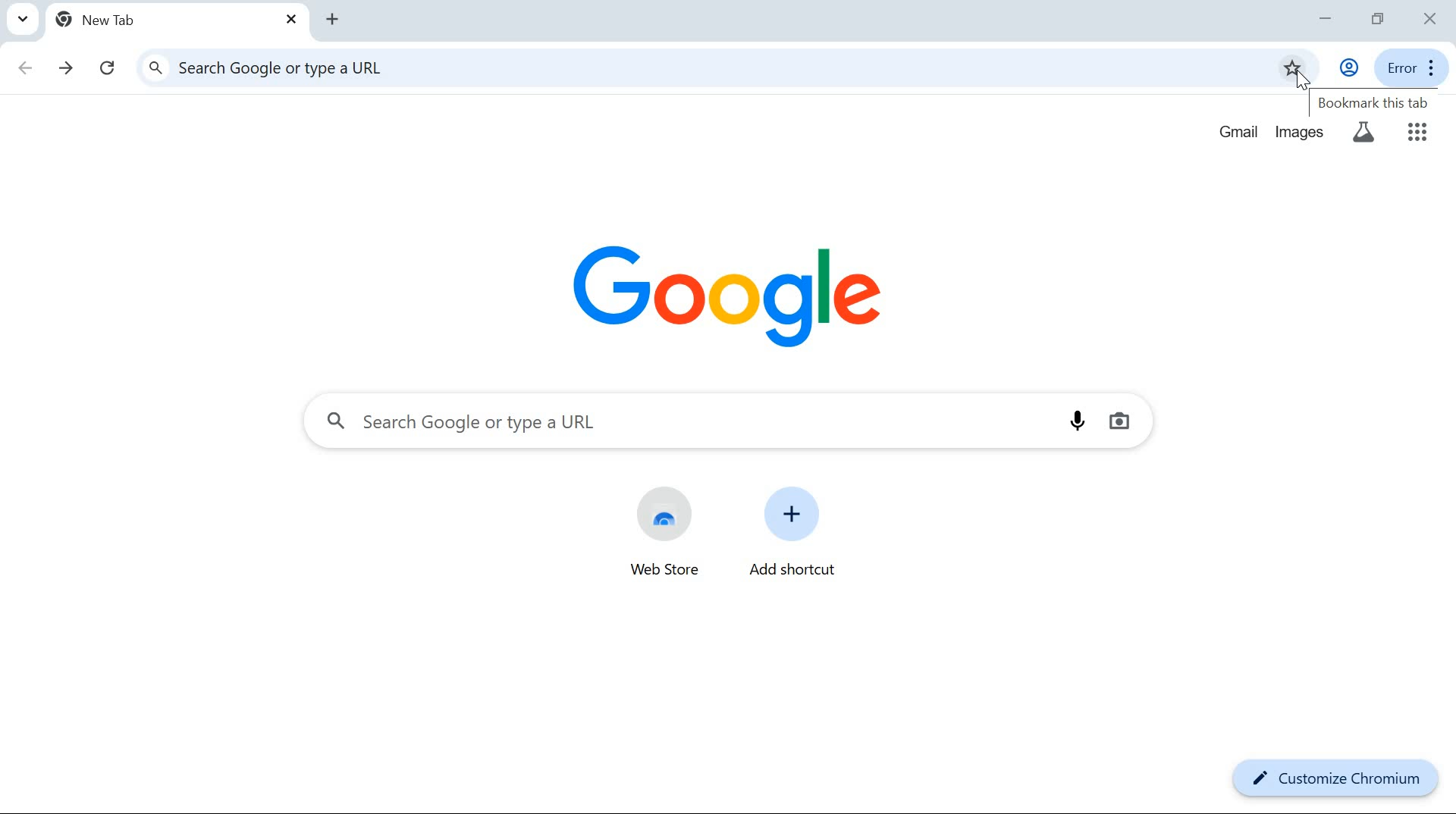 This screenshot has height=814, width=1456. I want to click on back, so click(26, 64).